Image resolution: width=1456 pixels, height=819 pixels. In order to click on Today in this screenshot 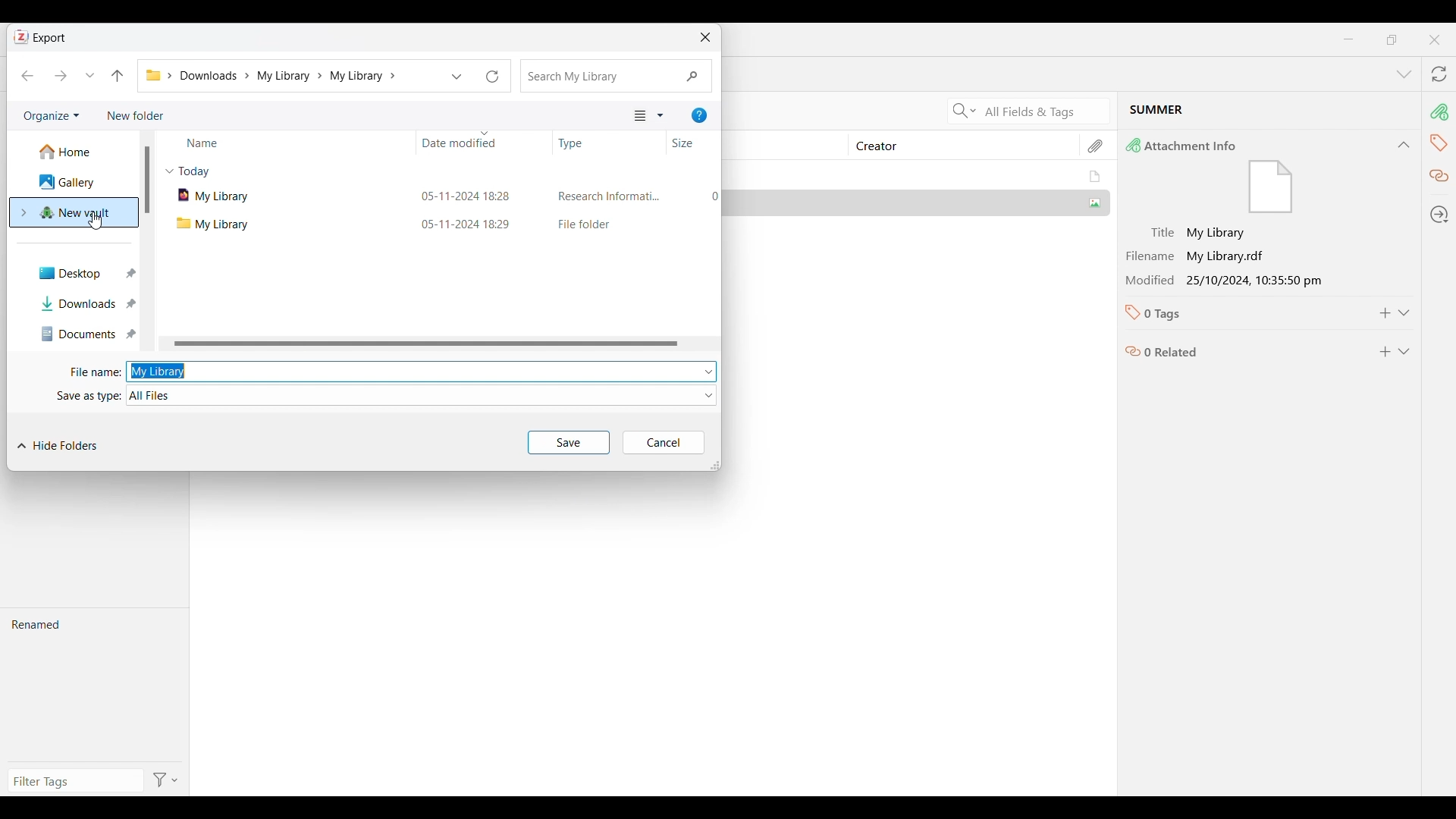, I will do `click(193, 171)`.